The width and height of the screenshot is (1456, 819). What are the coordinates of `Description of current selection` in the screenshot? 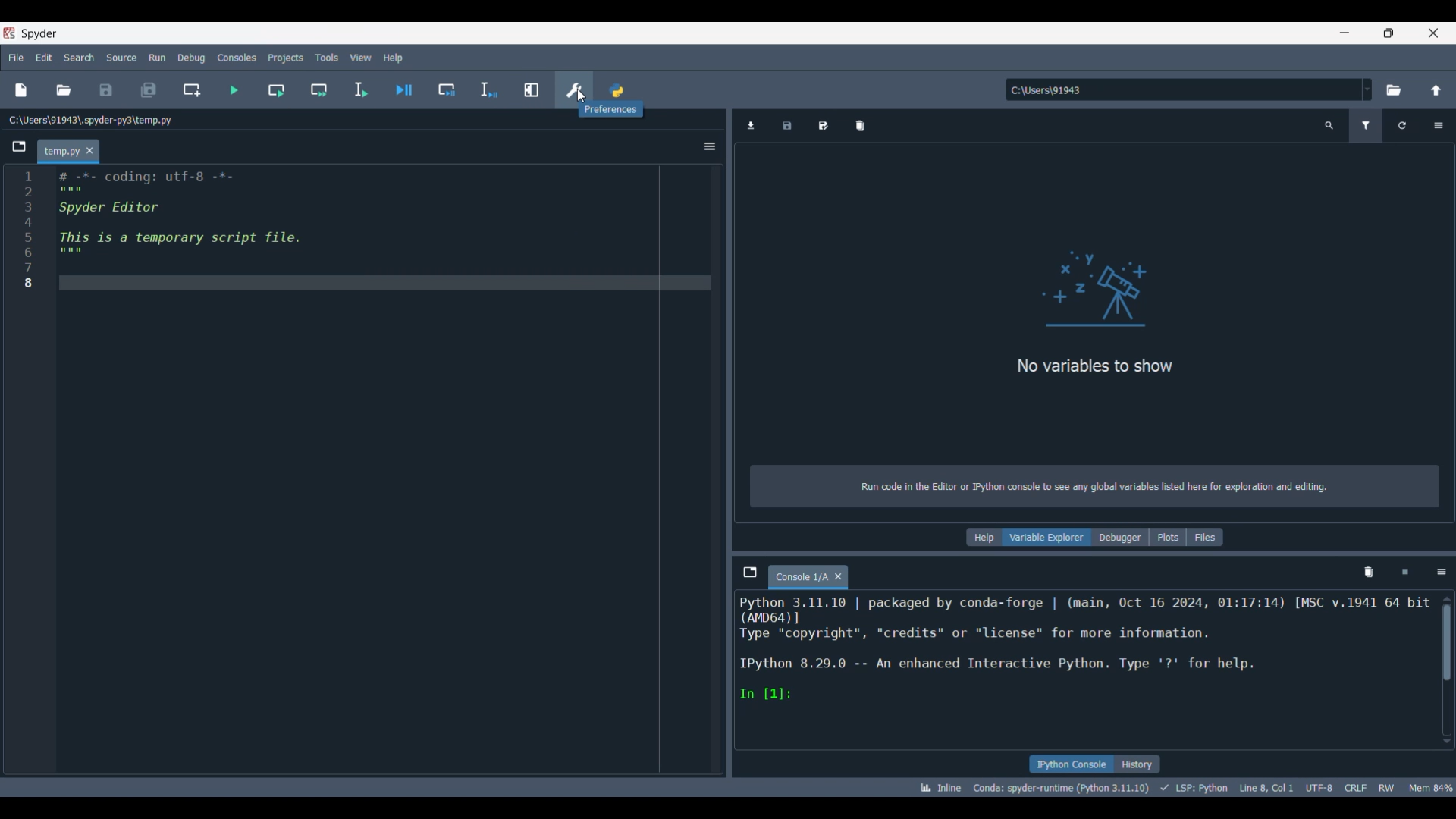 It's located at (611, 111).